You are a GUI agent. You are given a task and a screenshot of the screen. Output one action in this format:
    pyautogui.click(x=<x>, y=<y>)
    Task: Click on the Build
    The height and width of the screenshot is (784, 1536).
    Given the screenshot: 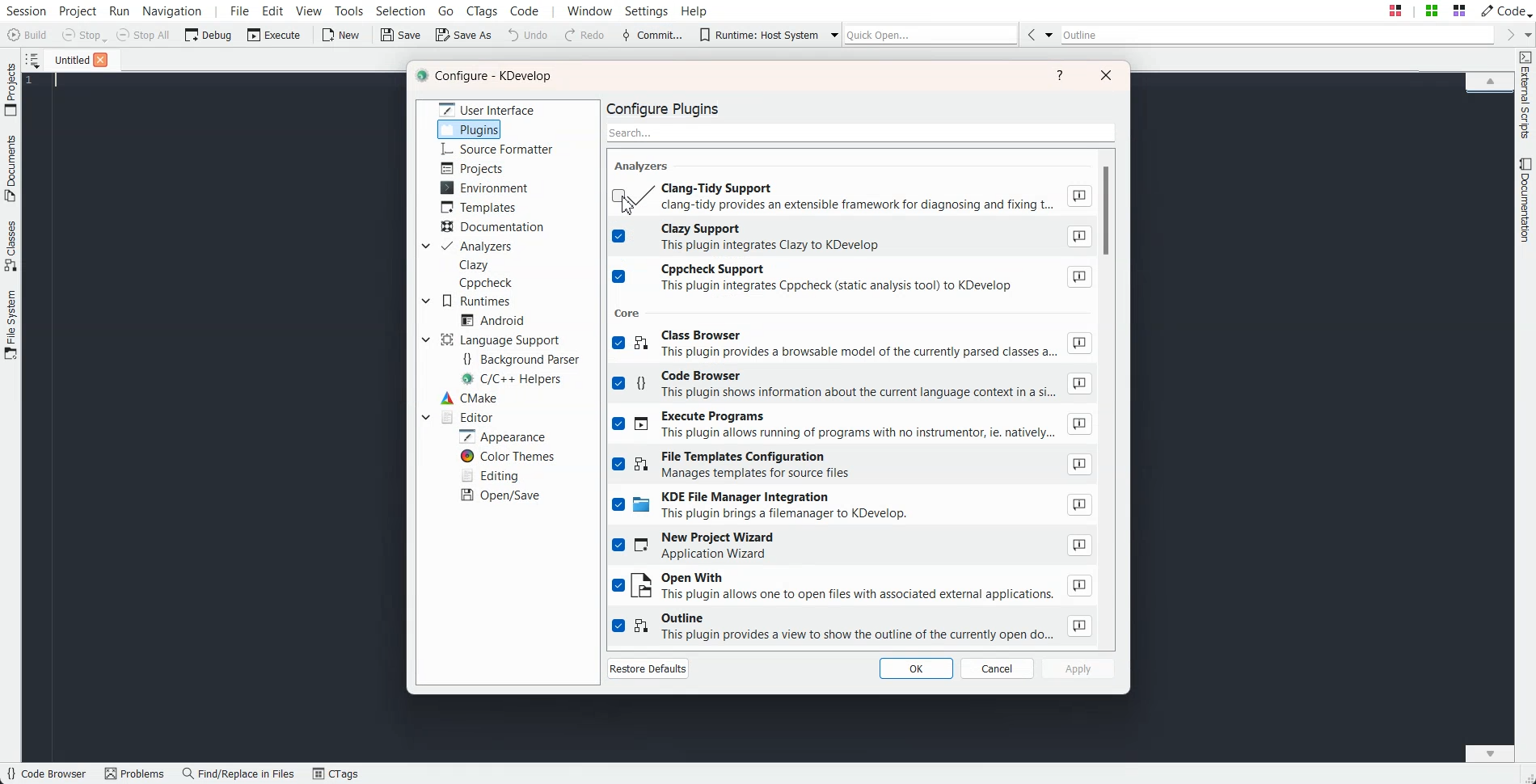 What is the action you would take?
    pyautogui.click(x=29, y=36)
    